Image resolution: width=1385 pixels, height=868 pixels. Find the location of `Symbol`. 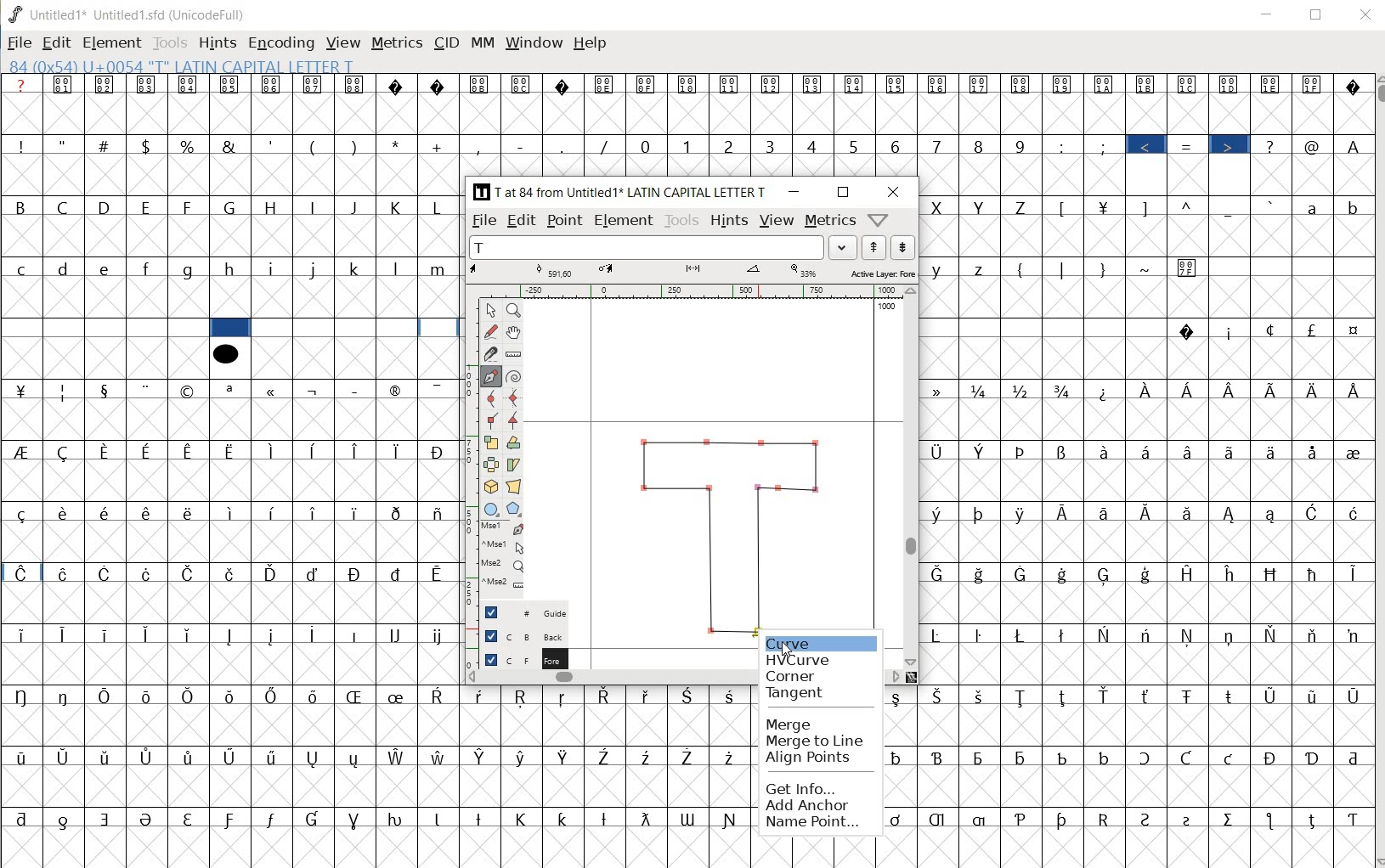

Symbol is located at coordinates (1350, 635).